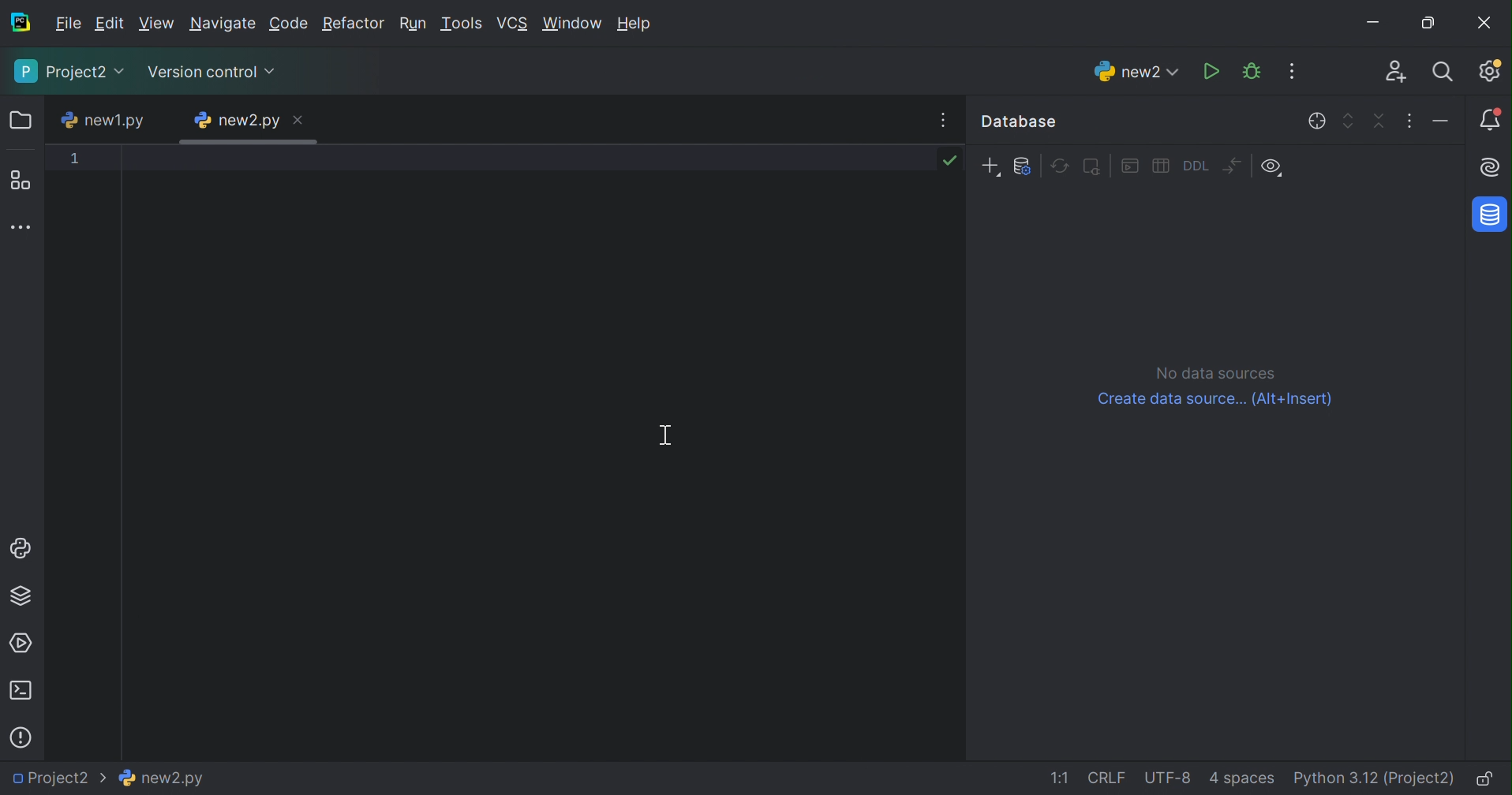 The height and width of the screenshot is (795, 1512). I want to click on Window, so click(573, 24).